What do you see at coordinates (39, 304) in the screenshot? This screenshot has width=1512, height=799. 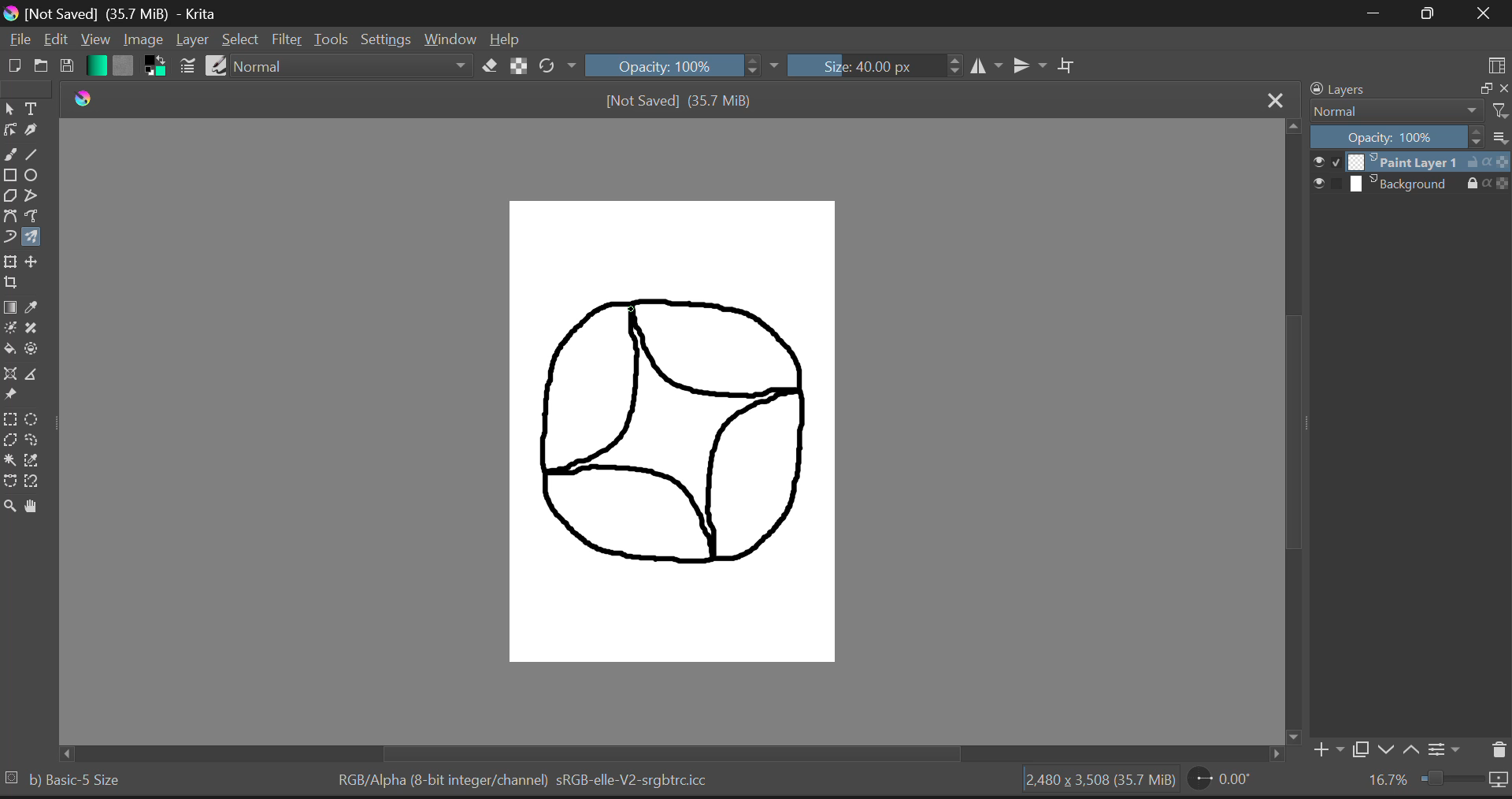 I see `Eyedropper` at bounding box center [39, 304].